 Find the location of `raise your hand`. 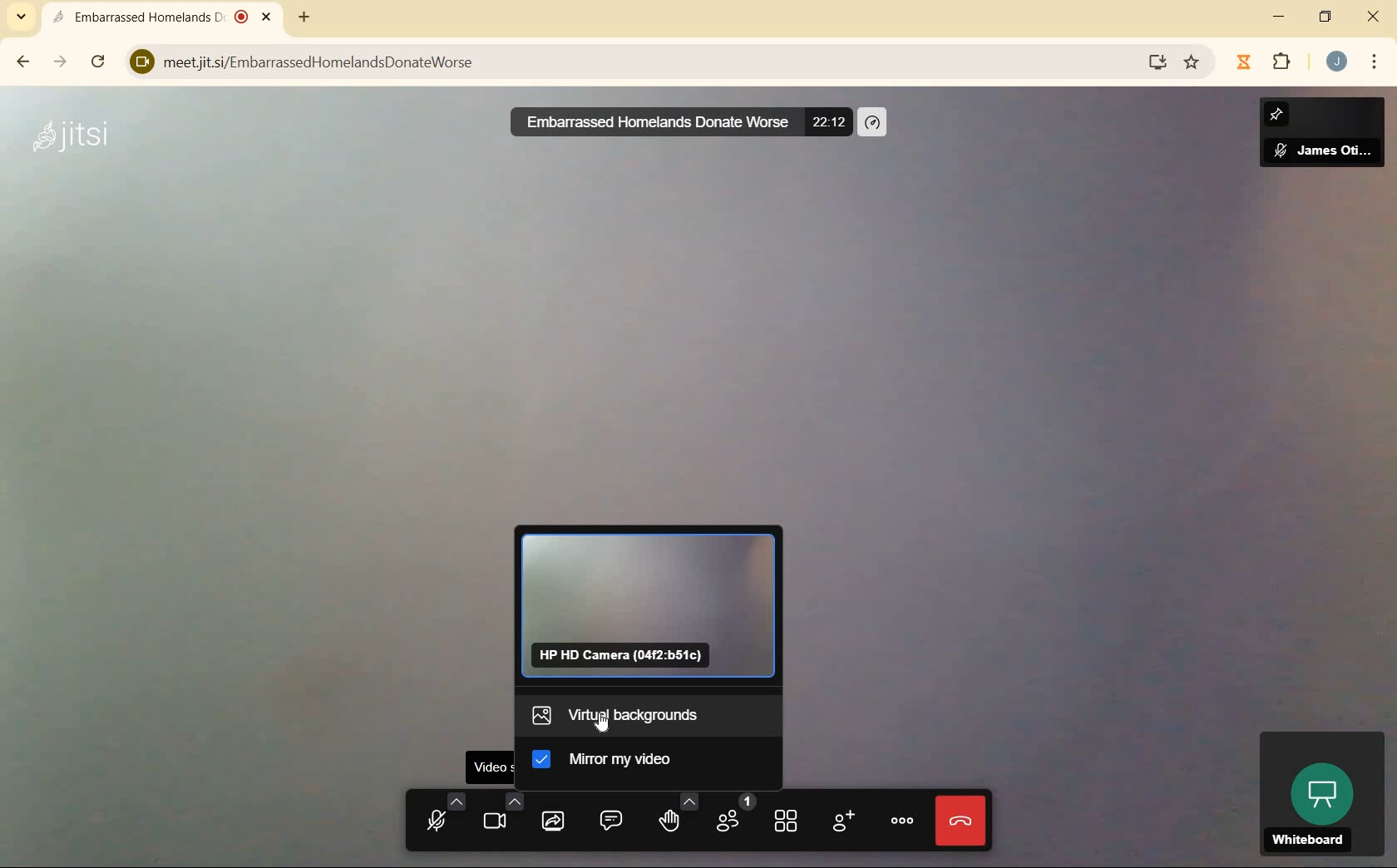

raise your hand is located at coordinates (673, 814).